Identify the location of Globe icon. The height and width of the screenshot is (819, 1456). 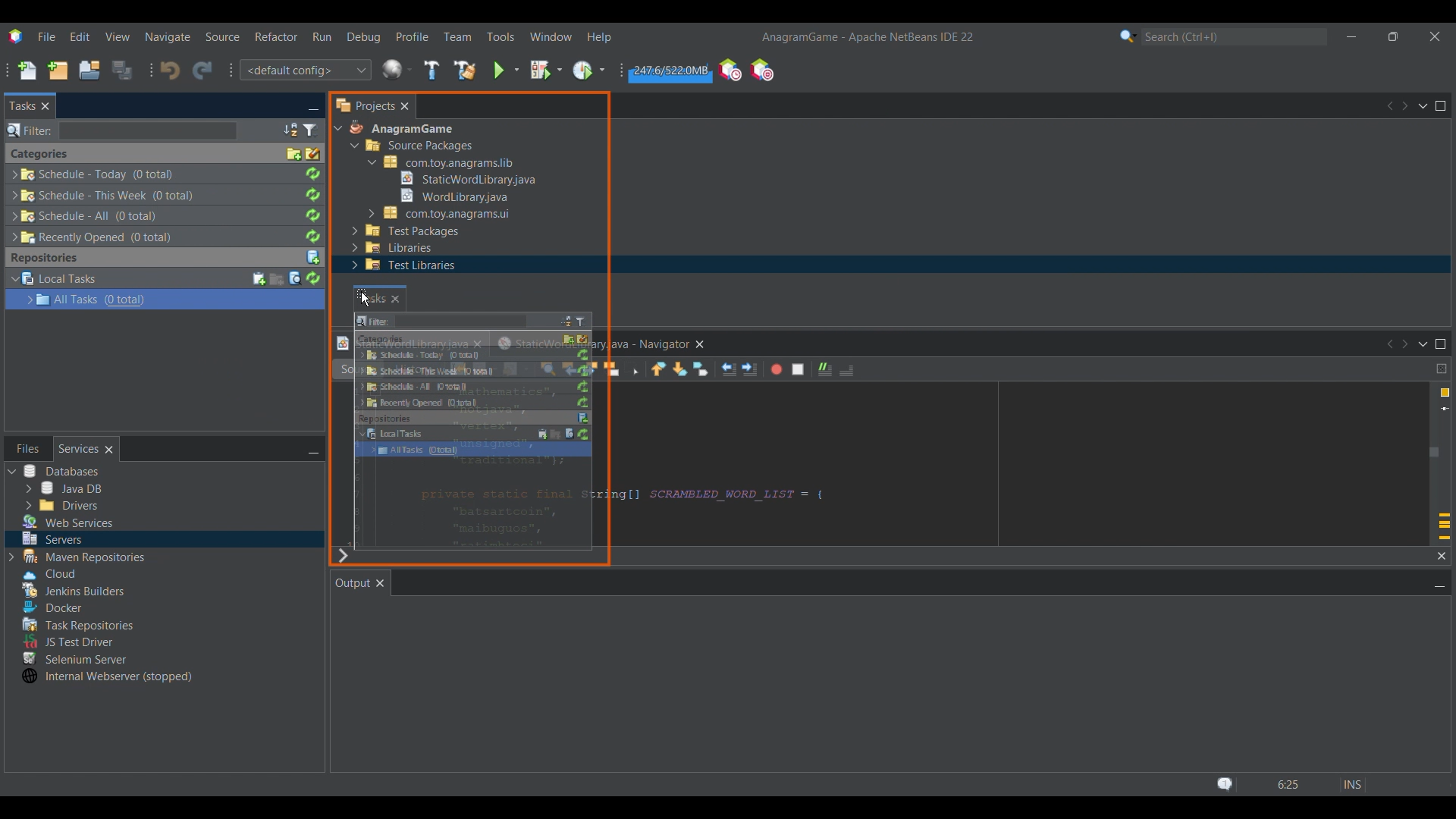
(397, 69).